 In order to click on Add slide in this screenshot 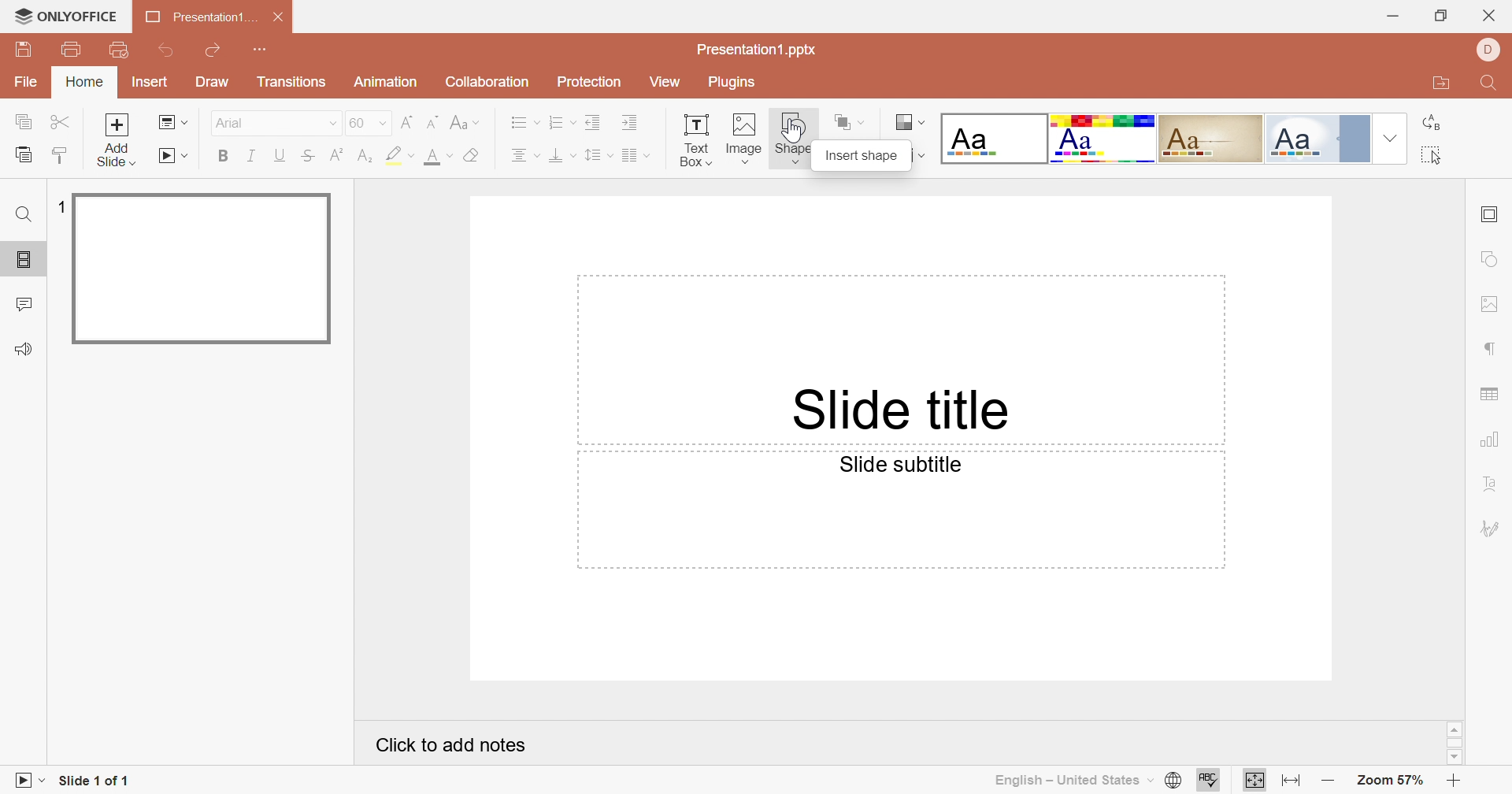, I will do `click(117, 140)`.